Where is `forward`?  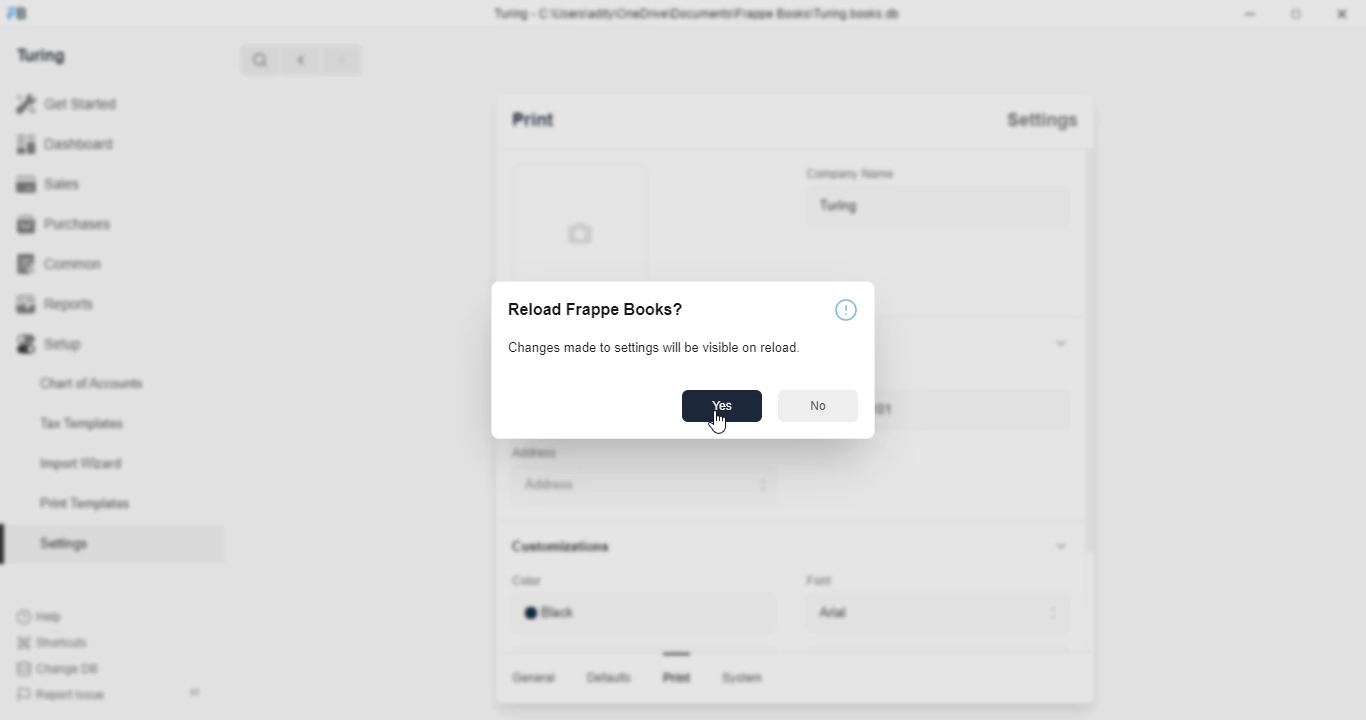
forward is located at coordinates (343, 59).